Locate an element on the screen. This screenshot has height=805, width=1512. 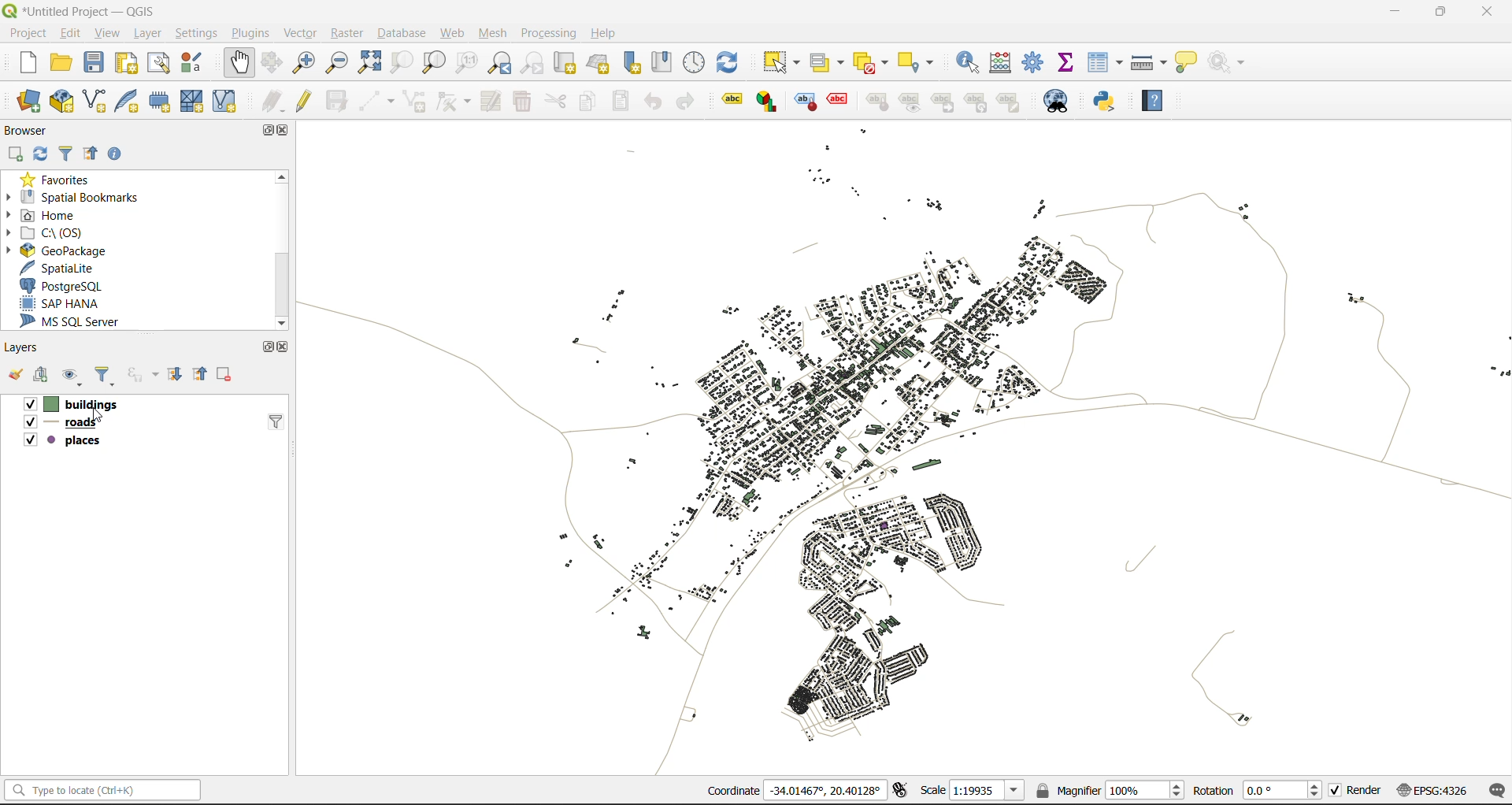
expand all is located at coordinates (180, 375).